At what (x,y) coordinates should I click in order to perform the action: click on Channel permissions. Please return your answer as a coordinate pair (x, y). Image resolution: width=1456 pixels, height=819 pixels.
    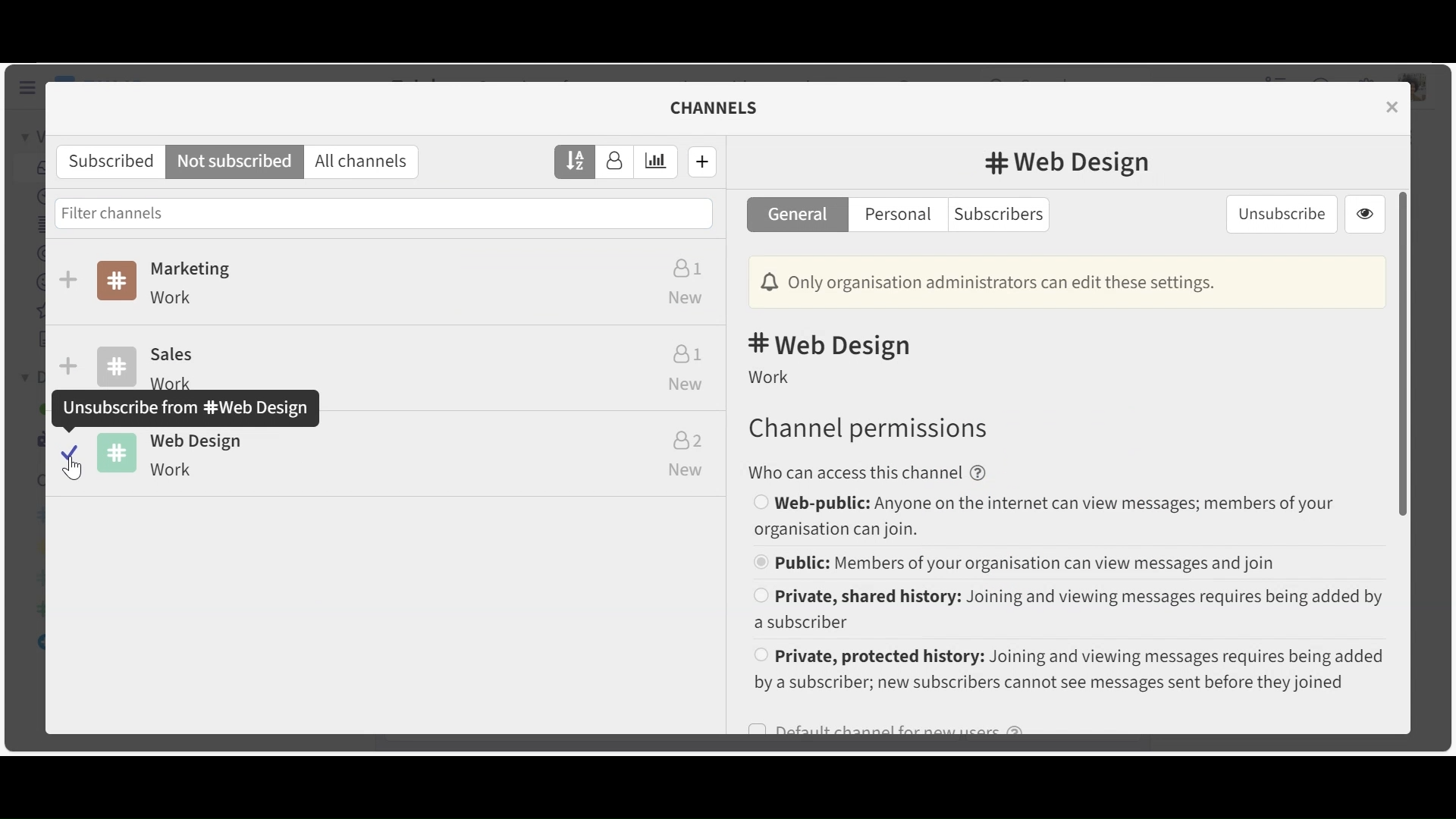
    Looking at the image, I should click on (865, 431).